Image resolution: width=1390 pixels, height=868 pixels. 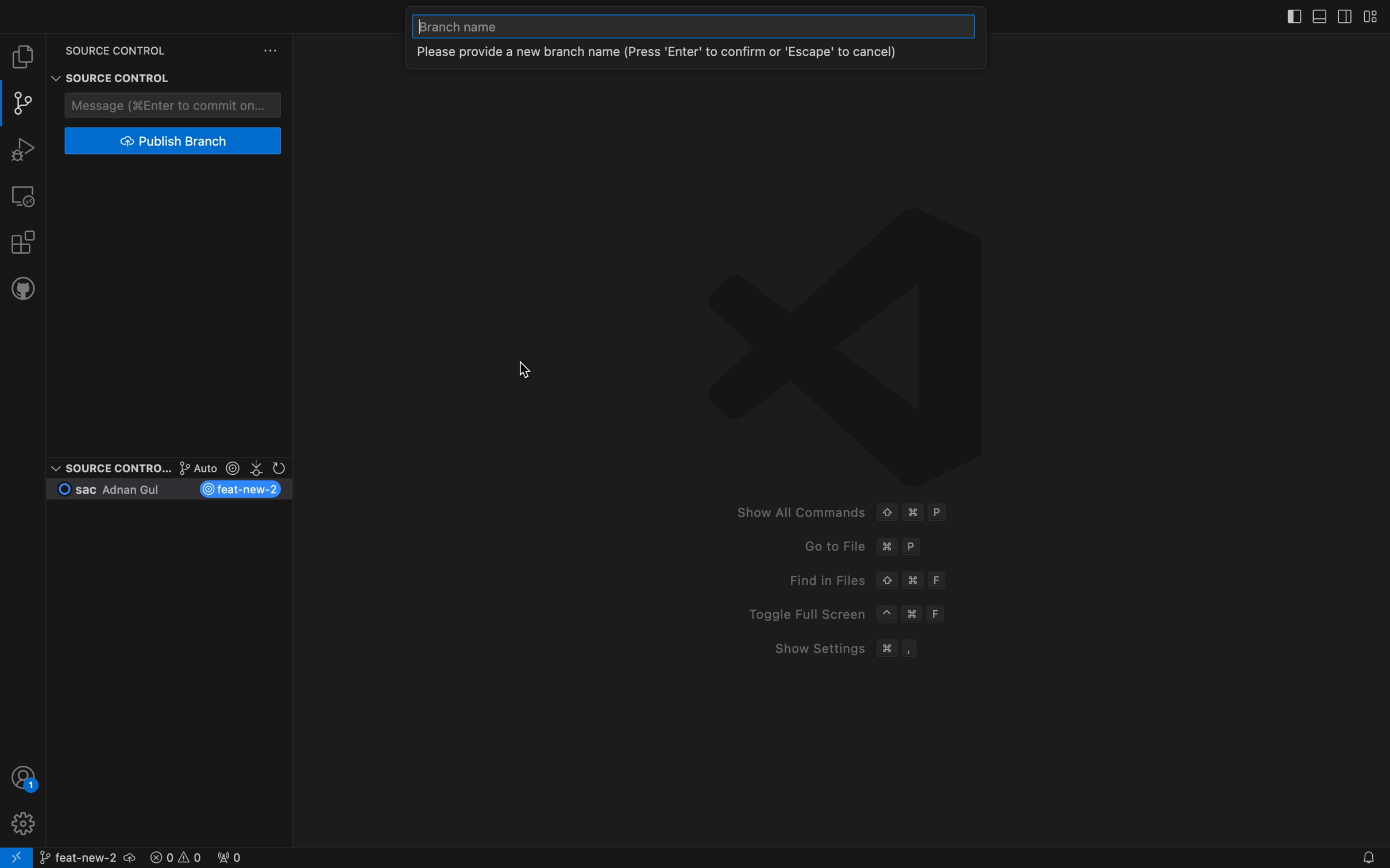 What do you see at coordinates (887, 581) in the screenshot?
I see `Up` at bounding box center [887, 581].